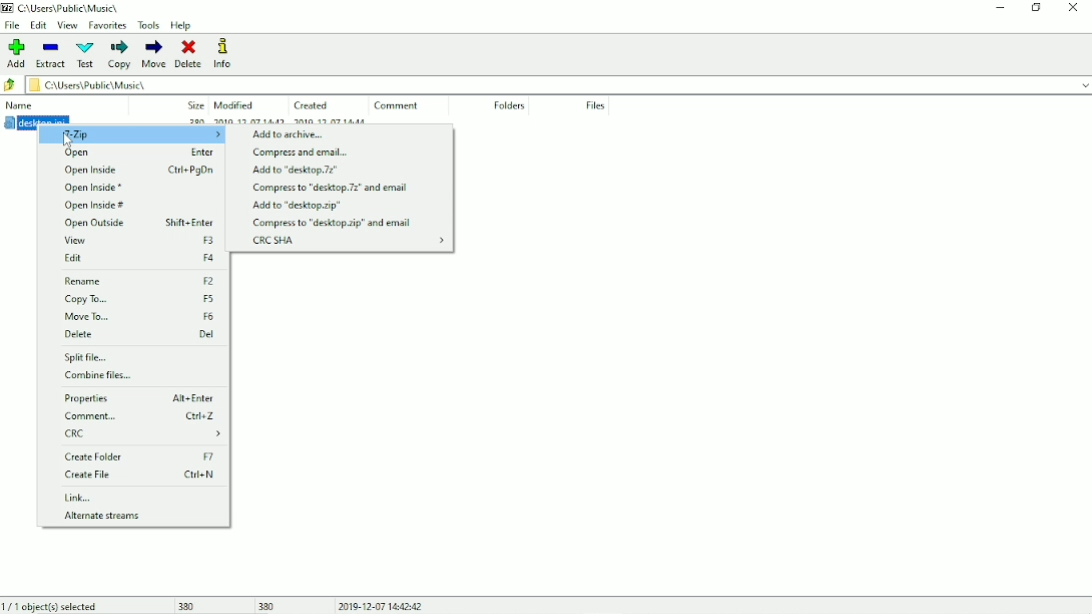 The height and width of the screenshot is (614, 1092). What do you see at coordinates (183, 26) in the screenshot?
I see `Help` at bounding box center [183, 26].